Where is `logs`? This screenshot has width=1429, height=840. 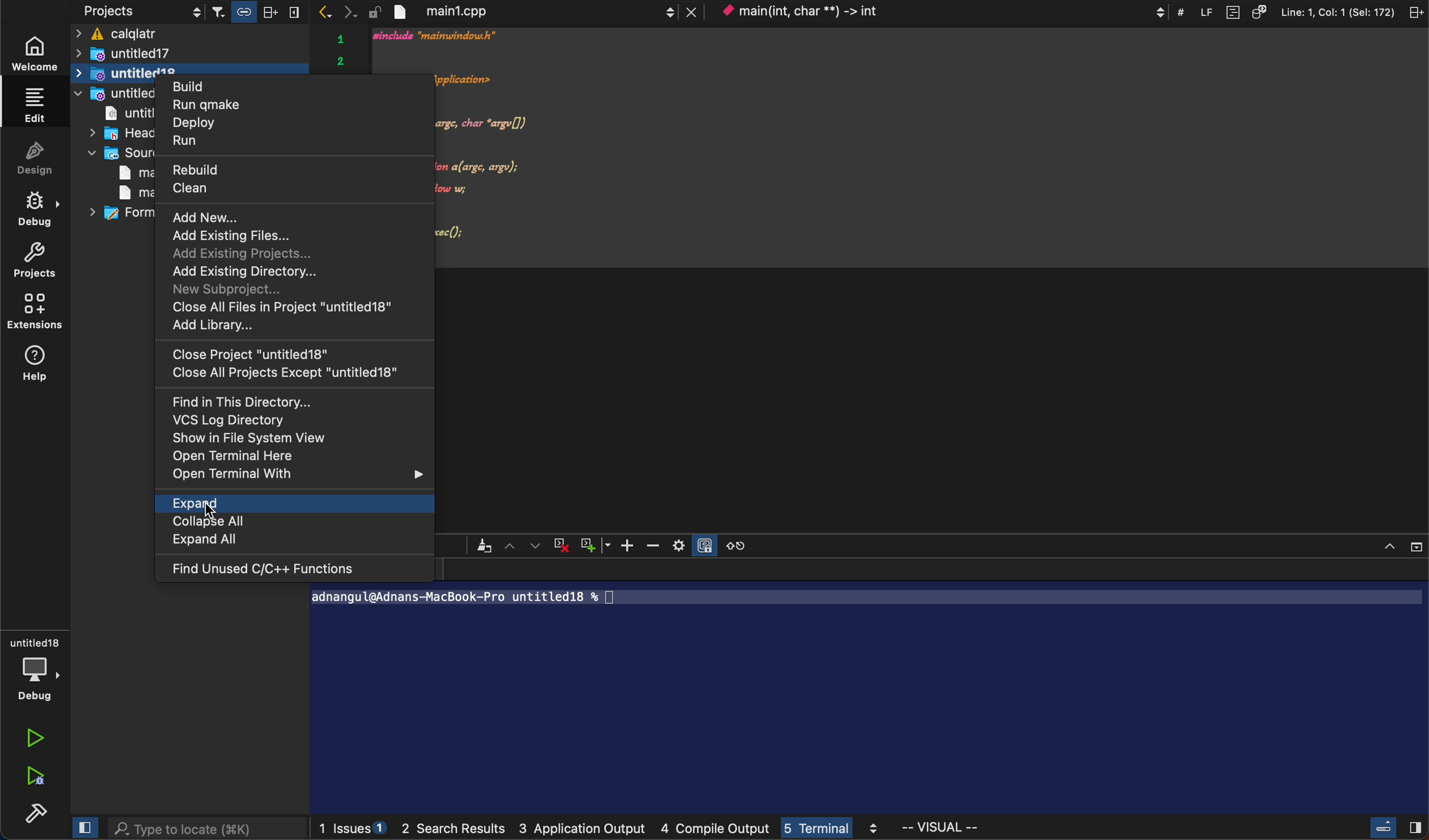 logs is located at coordinates (603, 830).